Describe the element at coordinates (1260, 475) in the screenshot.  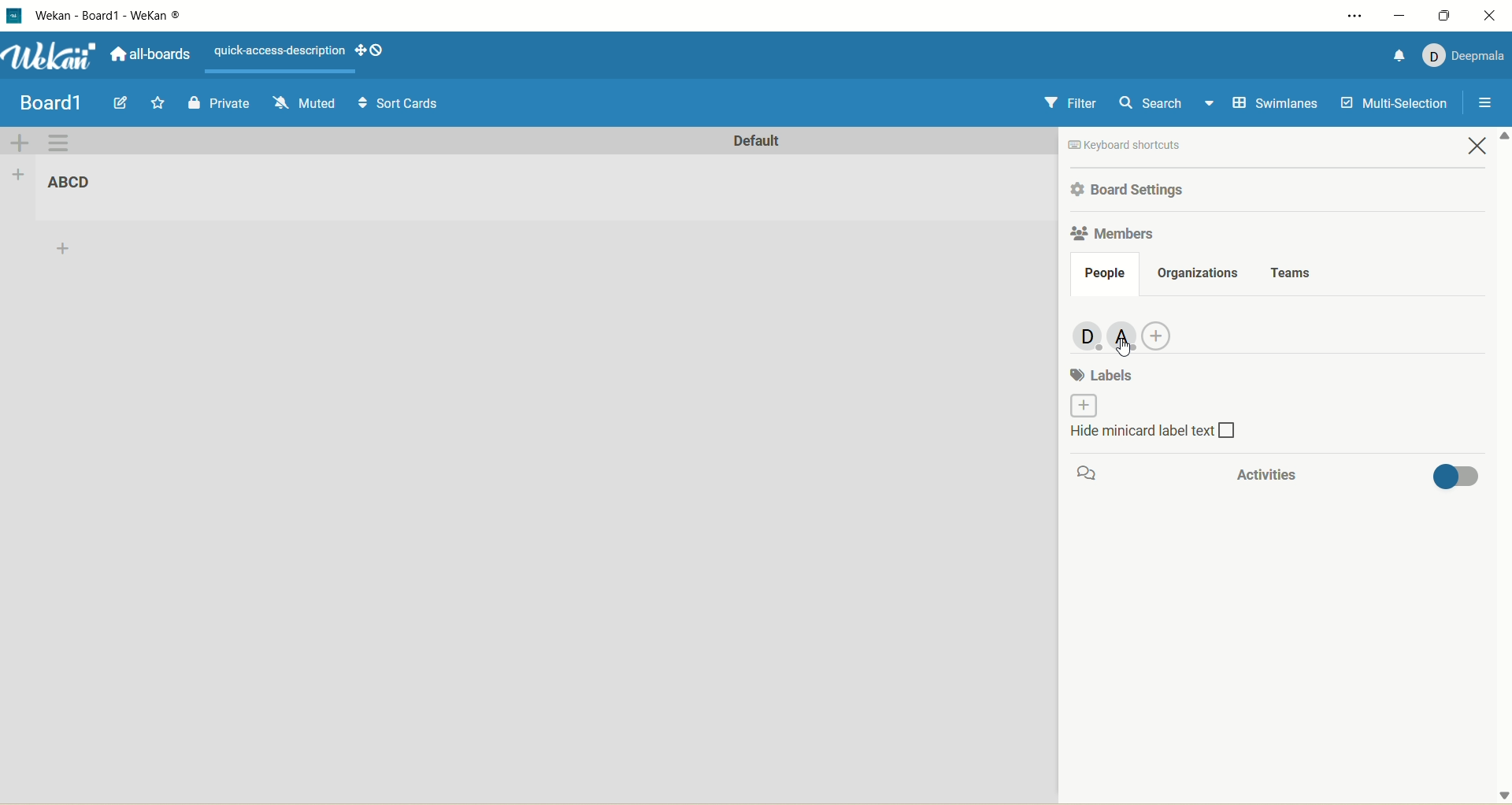
I see `activities` at that location.